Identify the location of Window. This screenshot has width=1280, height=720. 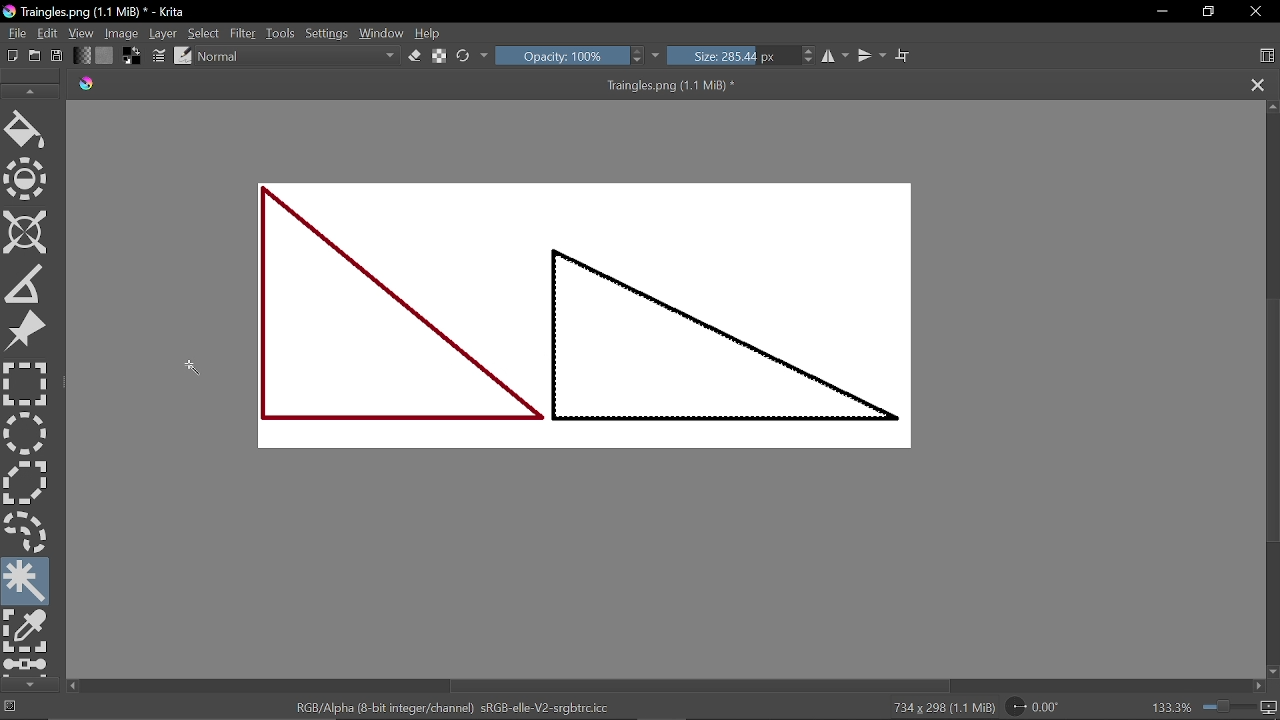
(383, 31).